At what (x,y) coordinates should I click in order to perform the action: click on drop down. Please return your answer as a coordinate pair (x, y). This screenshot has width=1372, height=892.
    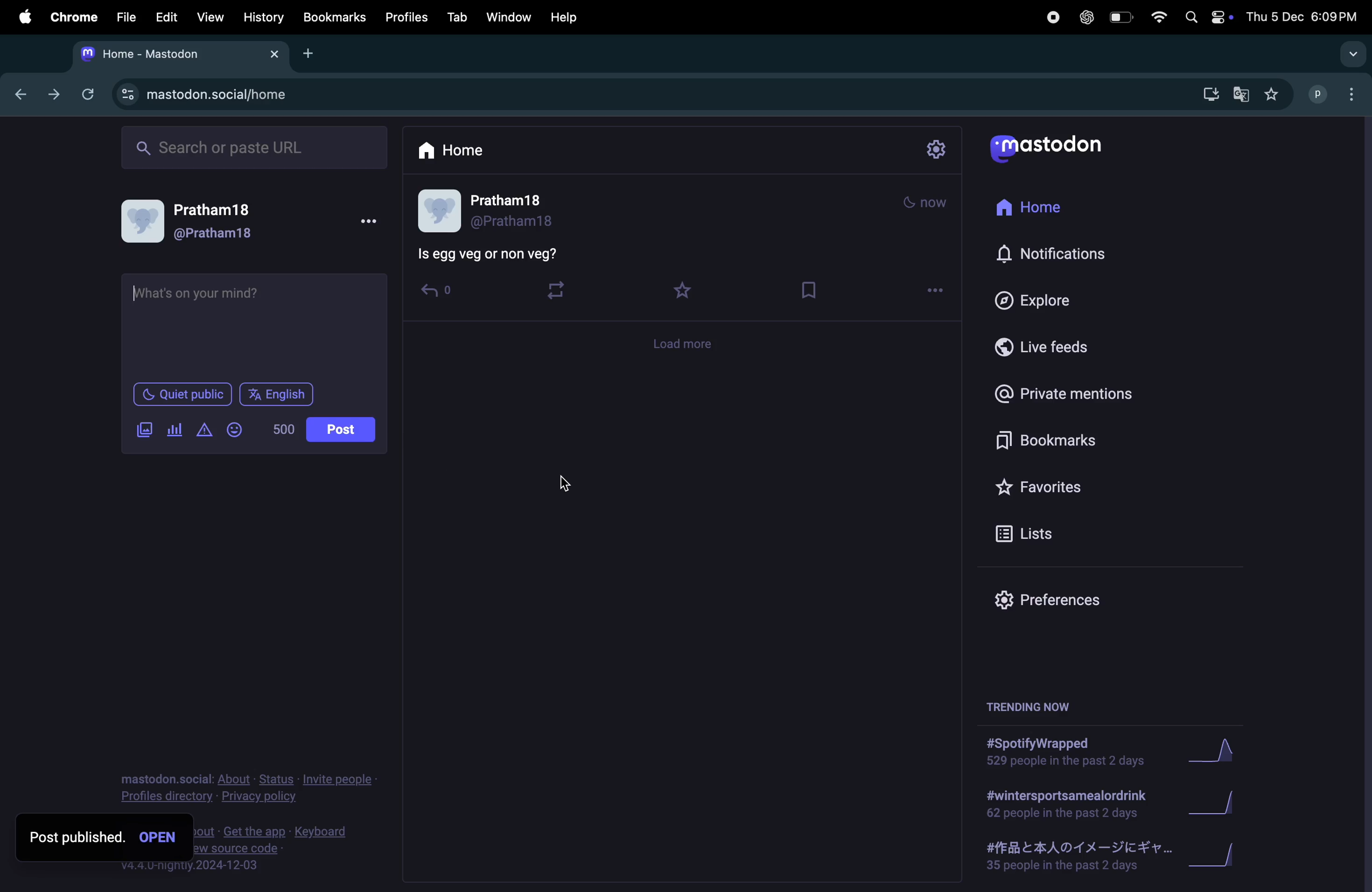
    Looking at the image, I should click on (1352, 54).